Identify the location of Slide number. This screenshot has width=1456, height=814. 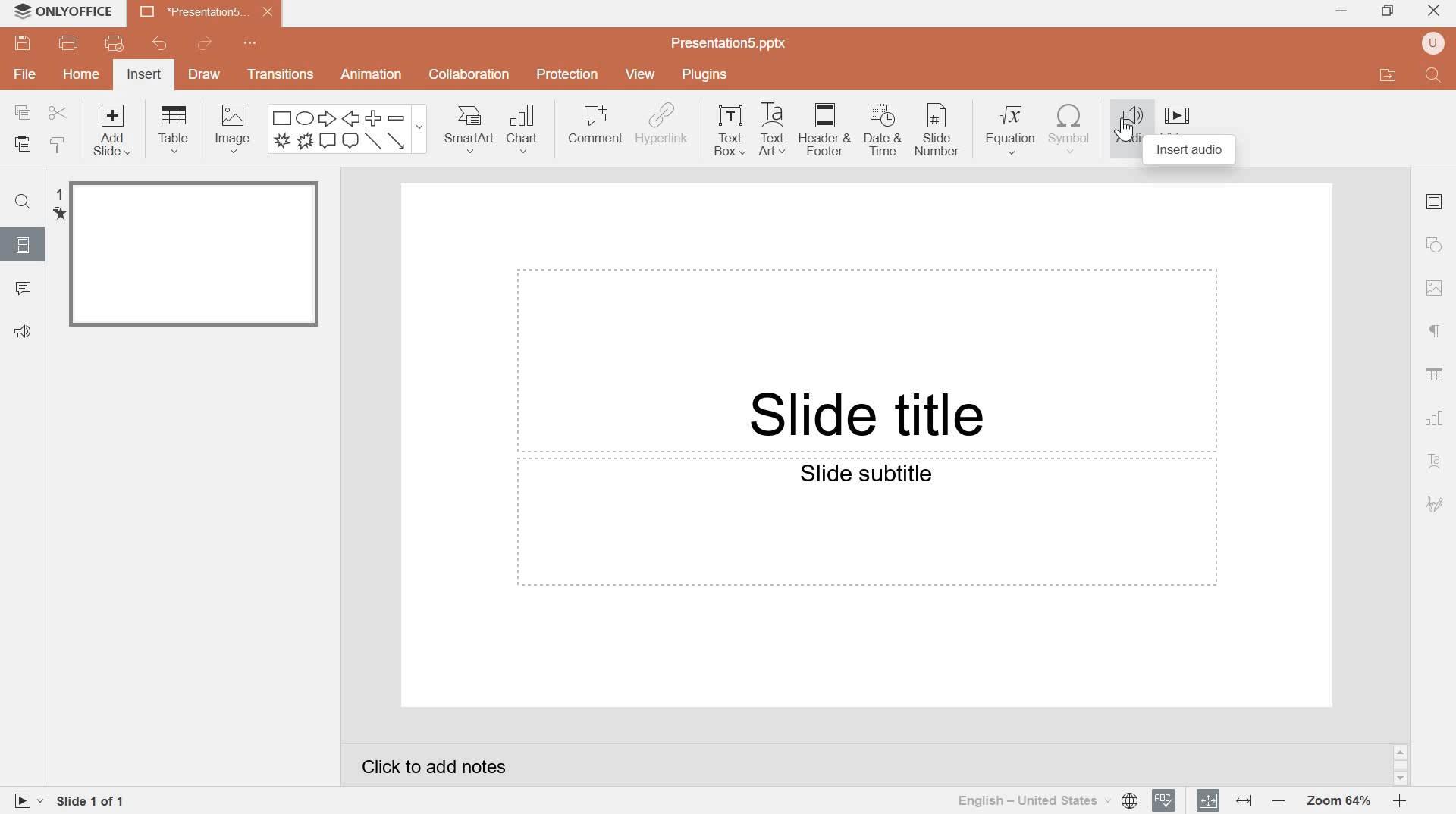
(938, 130).